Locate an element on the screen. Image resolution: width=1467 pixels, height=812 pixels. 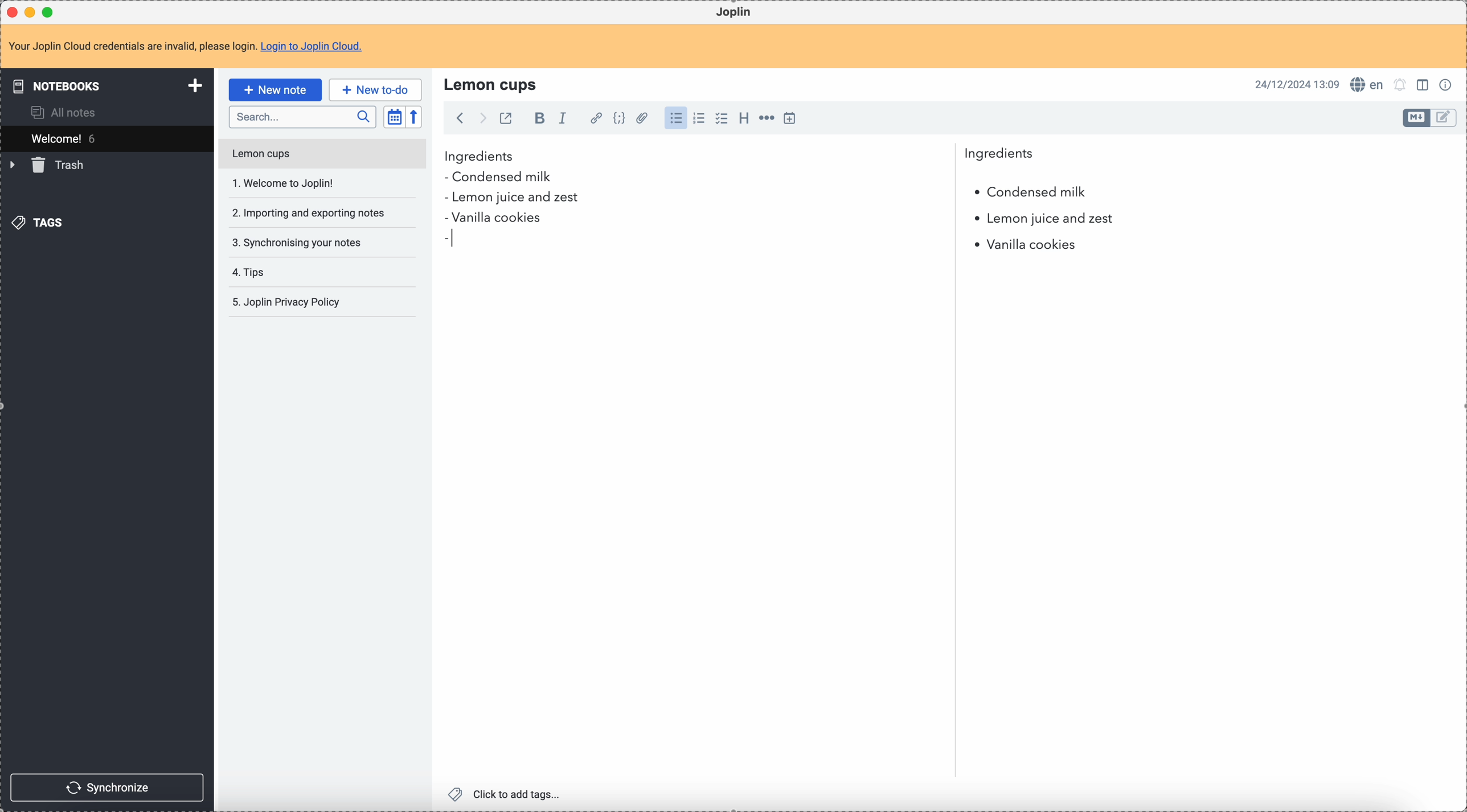
ingredients is located at coordinates (739, 157).